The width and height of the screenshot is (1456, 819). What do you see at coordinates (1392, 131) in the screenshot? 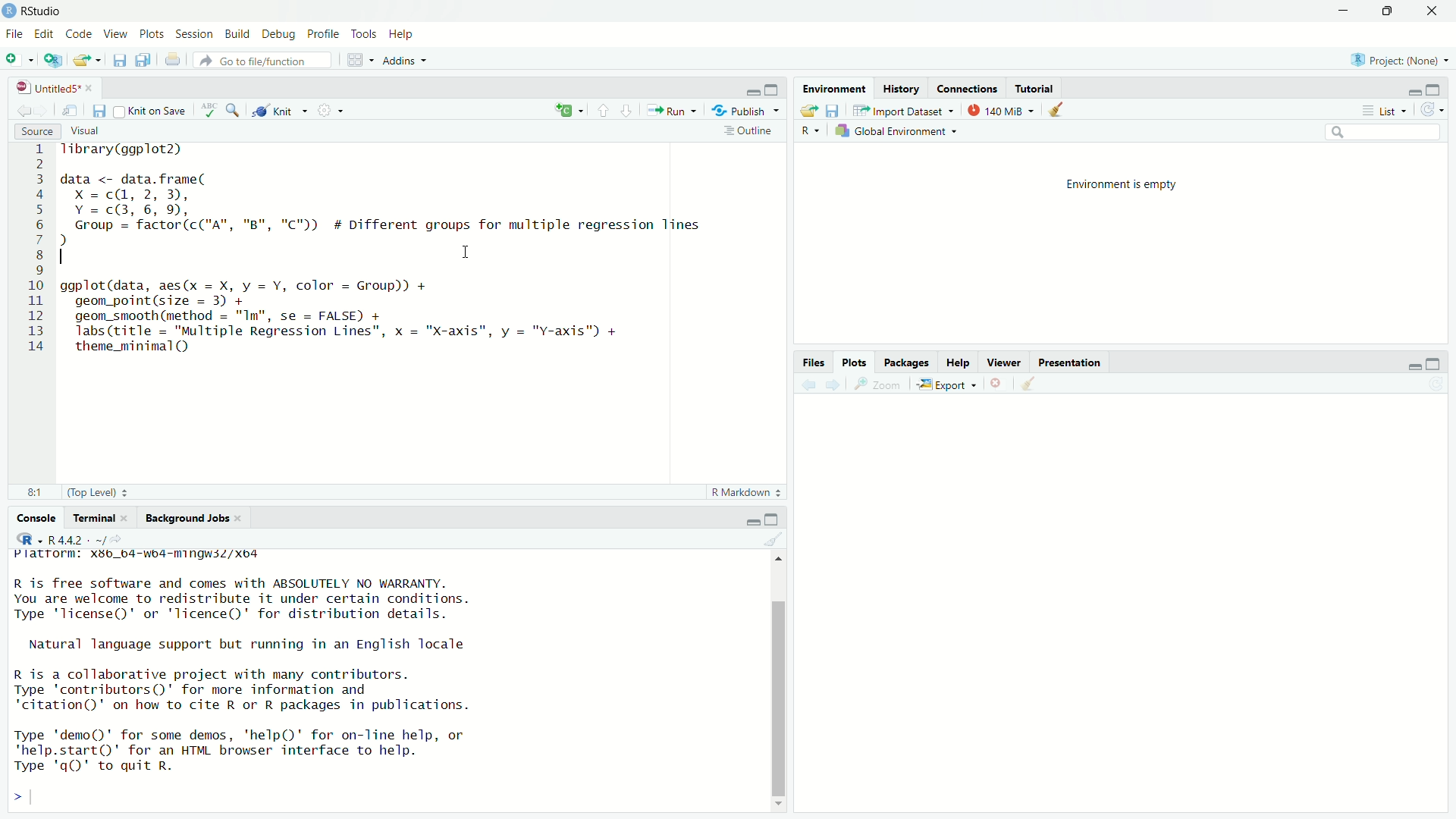
I see `search` at bounding box center [1392, 131].